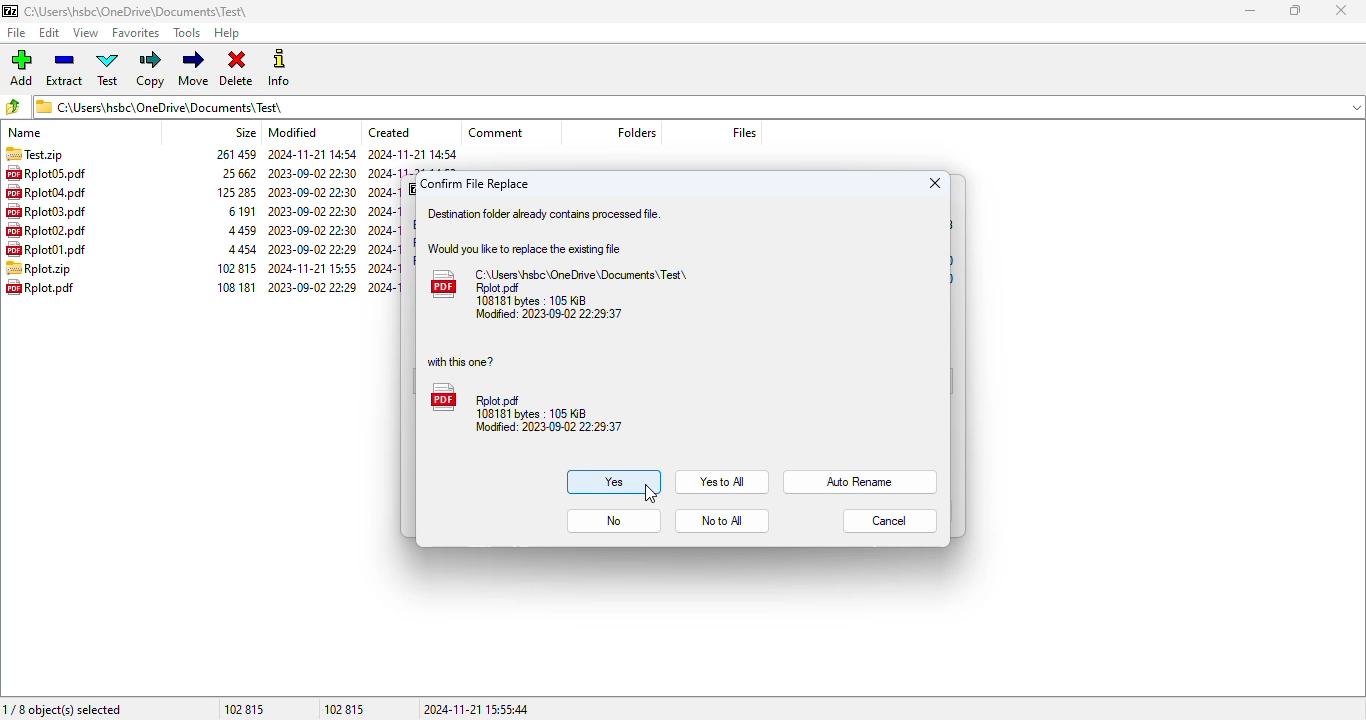  Describe the element at coordinates (745, 132) in the screenshot. I see `files` at that location.